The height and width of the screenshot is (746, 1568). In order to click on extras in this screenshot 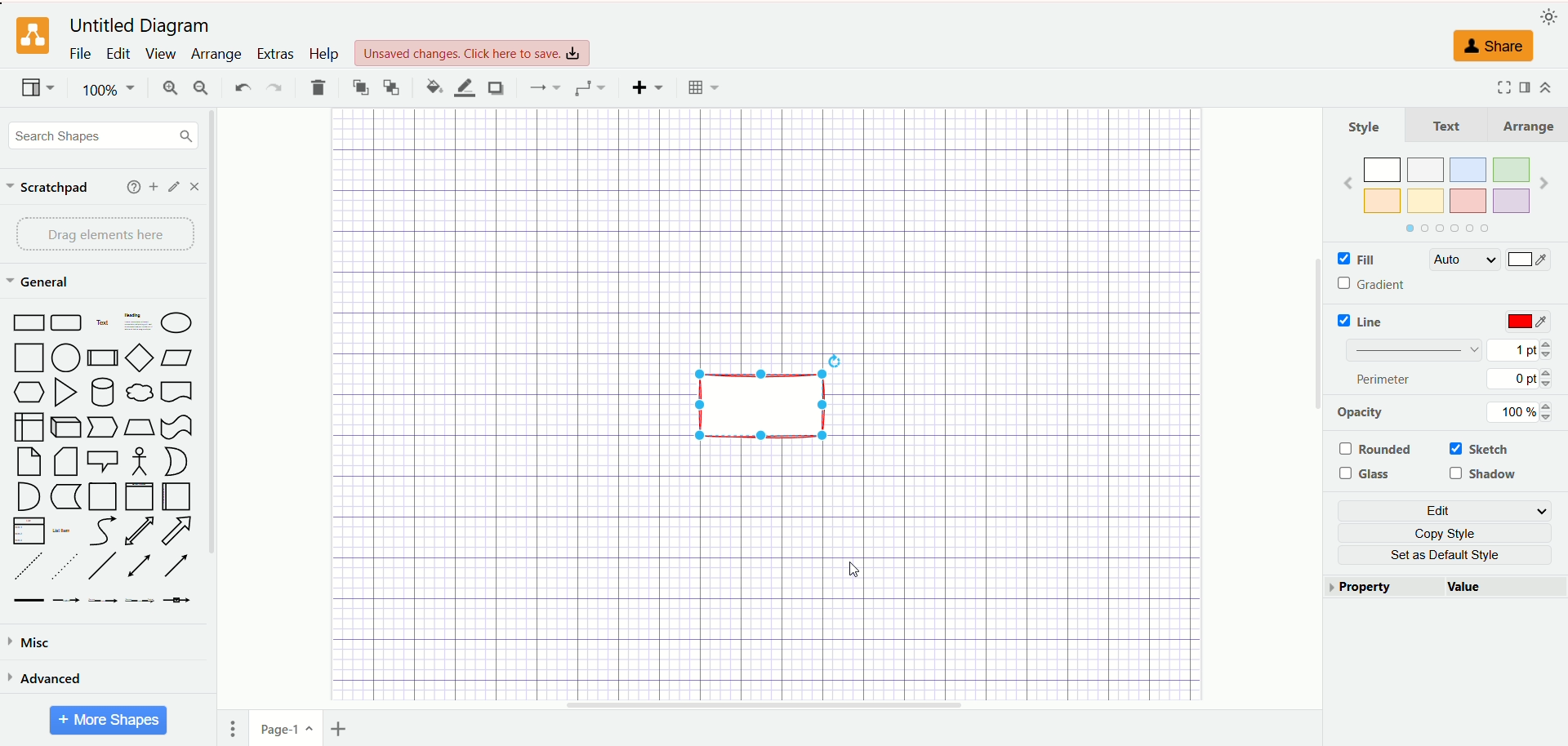, I will do `click(274, 52)`.